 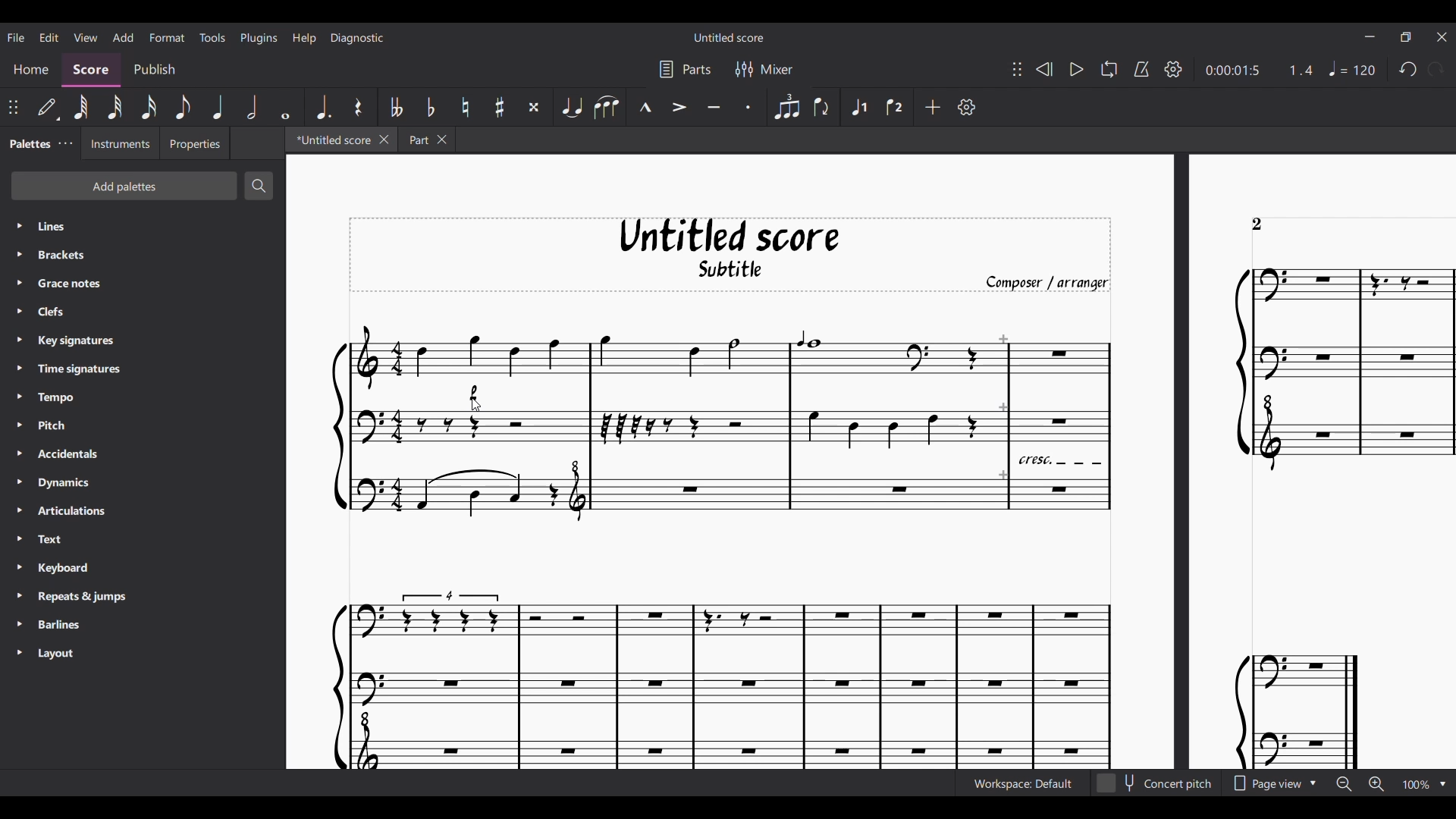 I want to click on Diagnostic menu, so click(x=357, y=38).